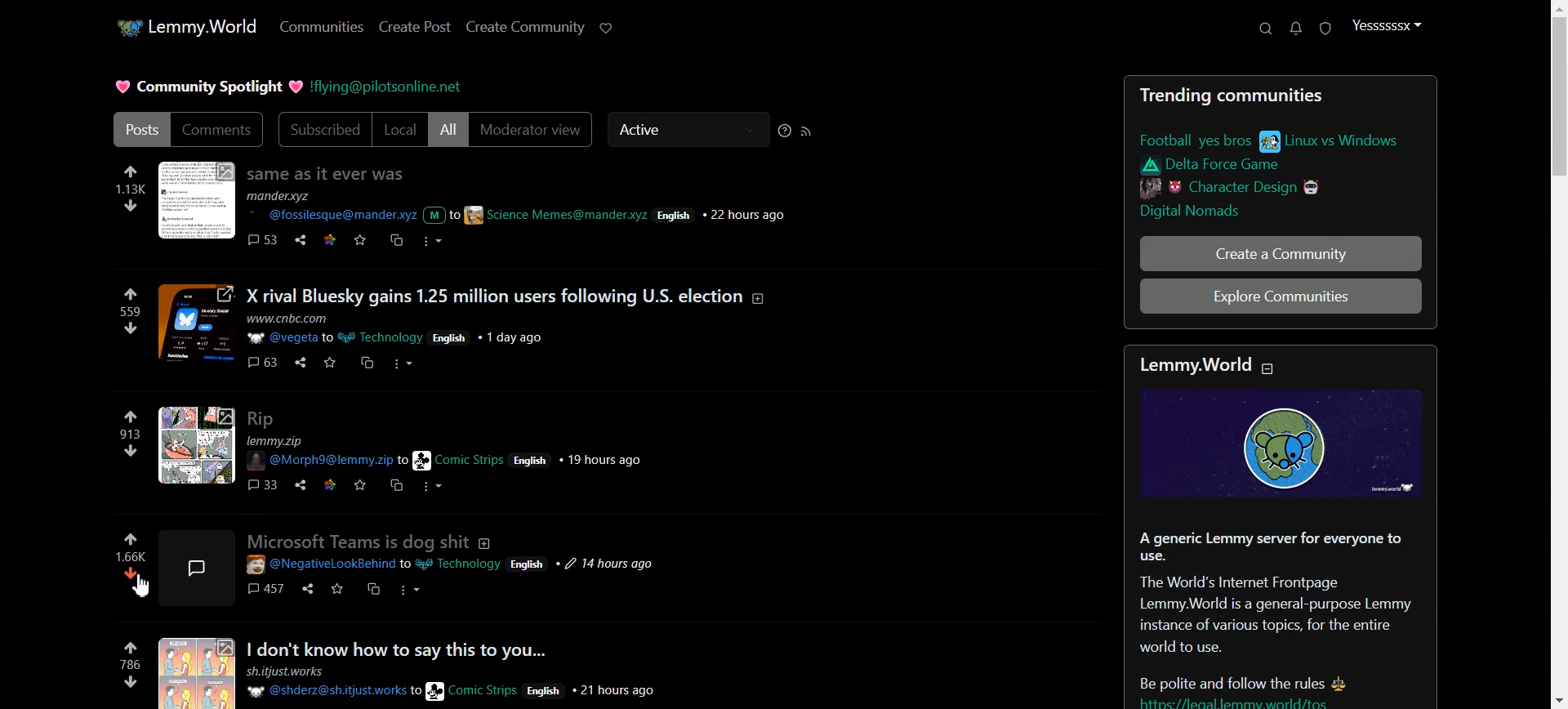 The image size is (1568, 709). What do you see at coordinates (196, 672) in the screenshot?
I see `image` at bounding box center [196, 672].